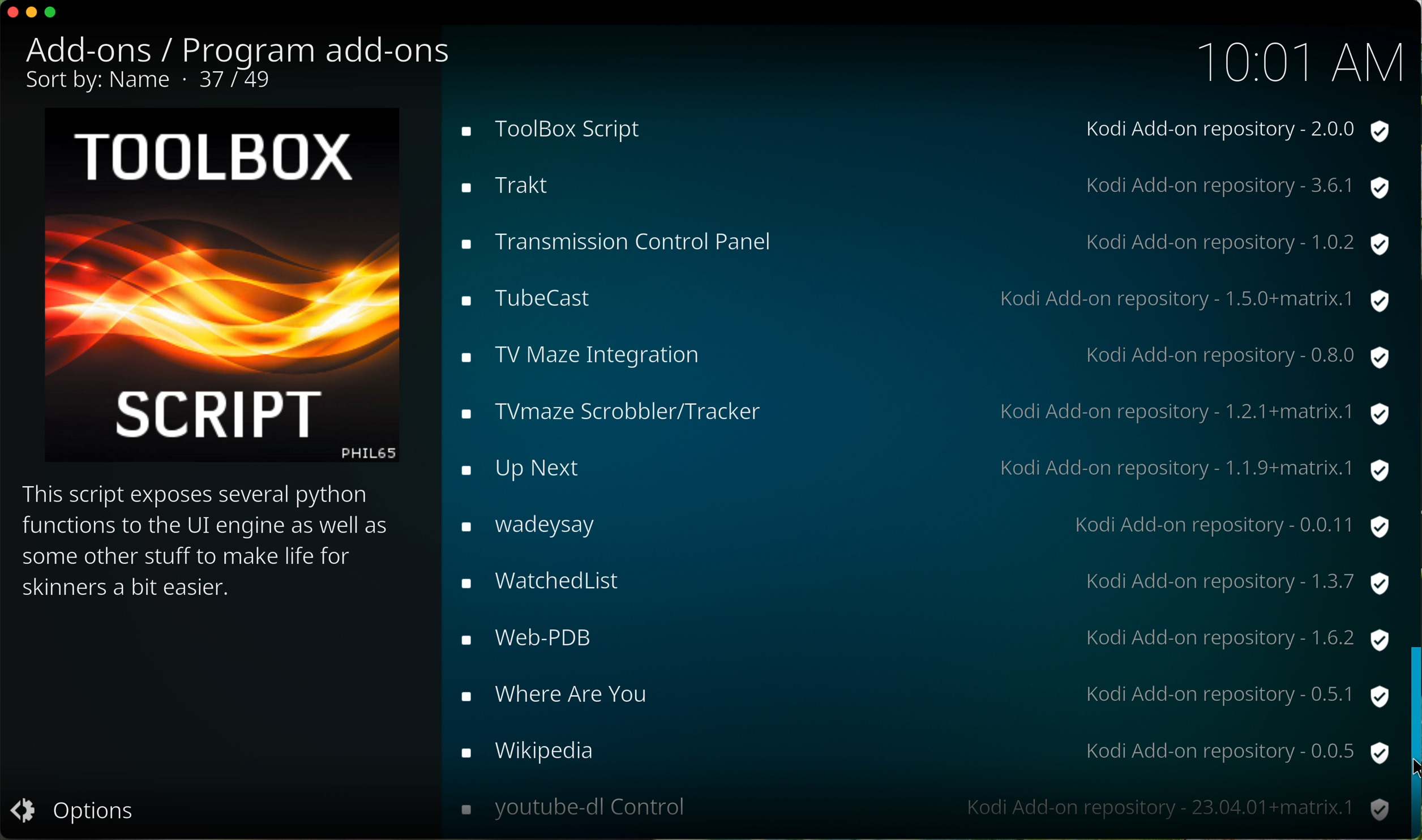 This screenshot has width=1422, height=840. I want to click on watchedlist, so click(924, 582).